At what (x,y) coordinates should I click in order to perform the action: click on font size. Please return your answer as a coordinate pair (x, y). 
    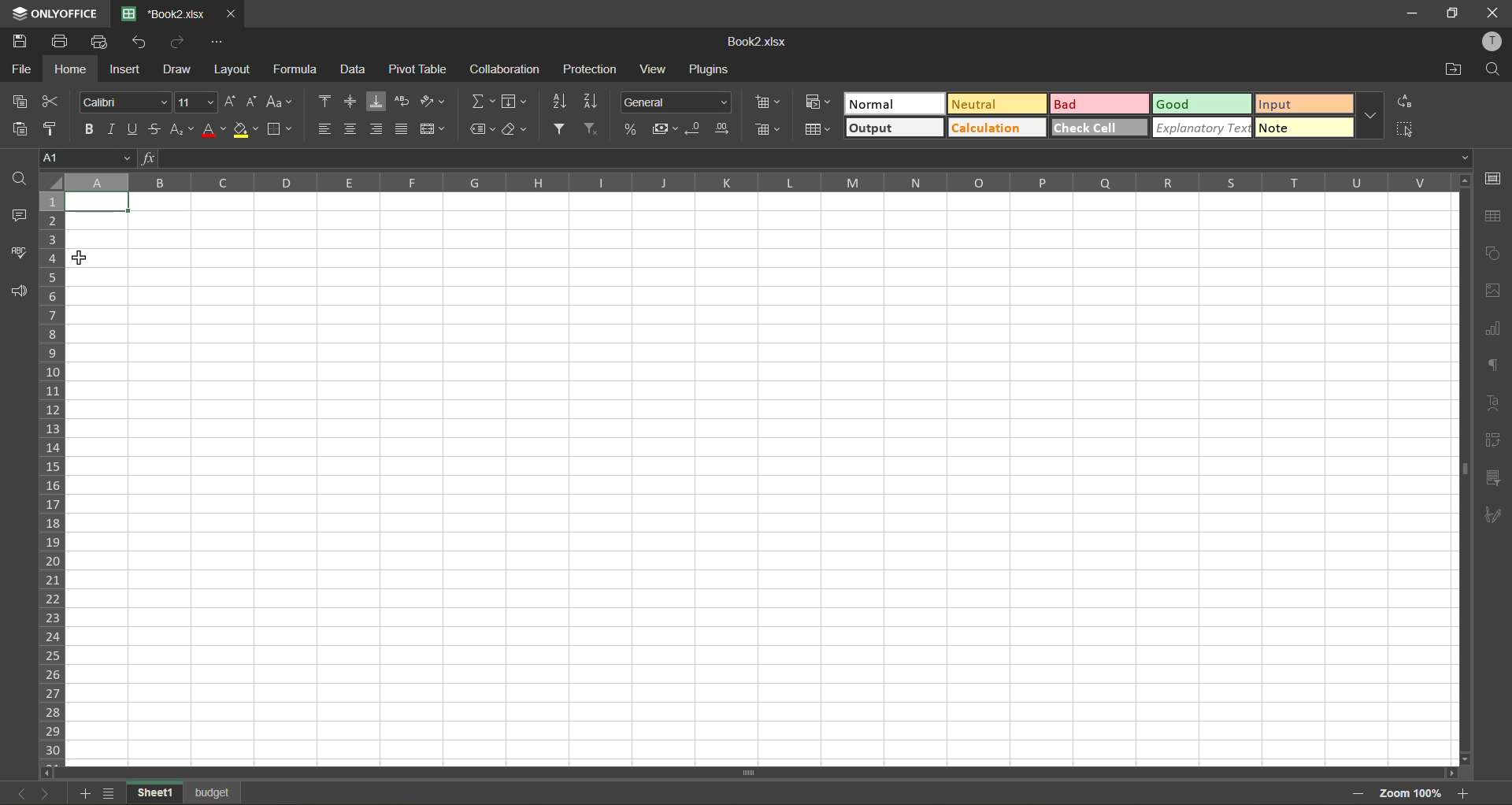
    Looking at the image, I should click on (195, 101).